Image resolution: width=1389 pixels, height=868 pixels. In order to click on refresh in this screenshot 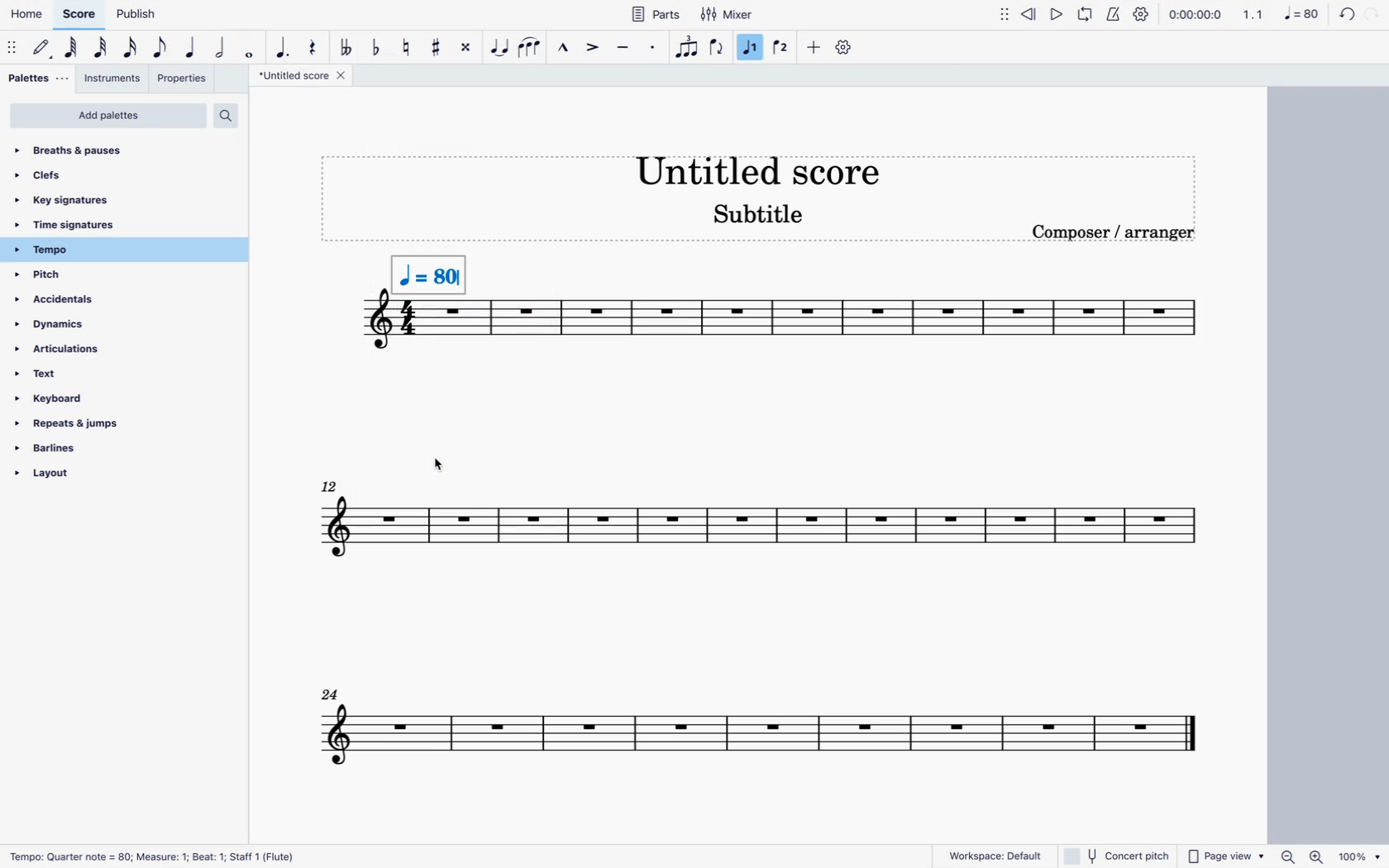, I will do `click(1345, 15)`.